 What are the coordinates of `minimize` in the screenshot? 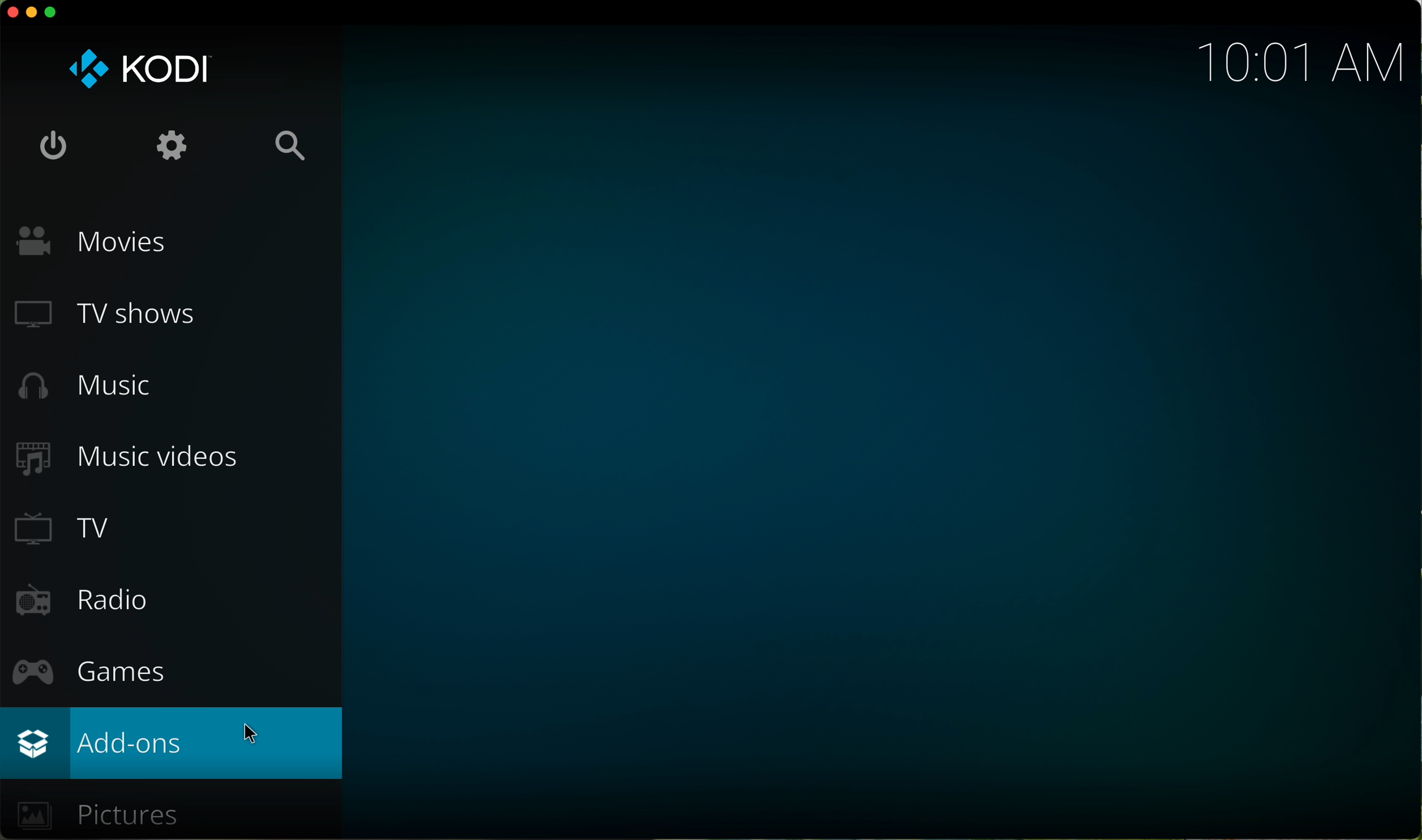 It's located at (32, 16).